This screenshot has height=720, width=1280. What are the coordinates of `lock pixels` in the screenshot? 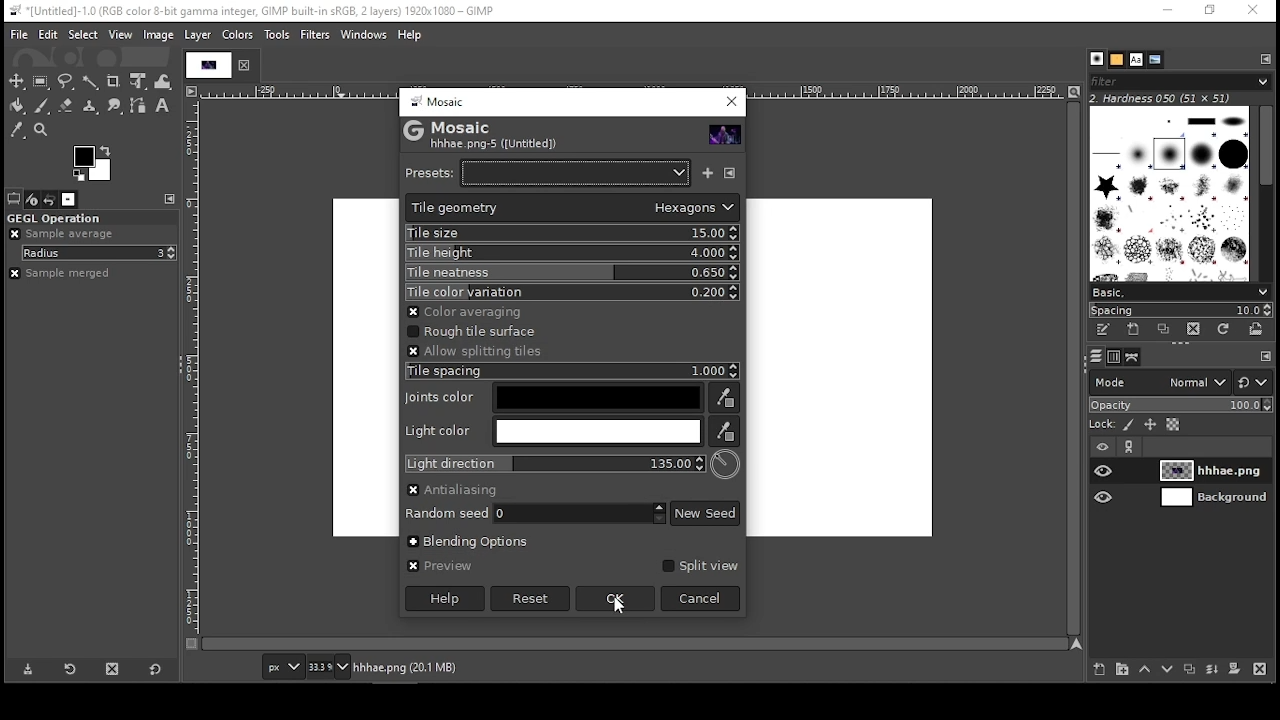 It's located at (1129, 425).